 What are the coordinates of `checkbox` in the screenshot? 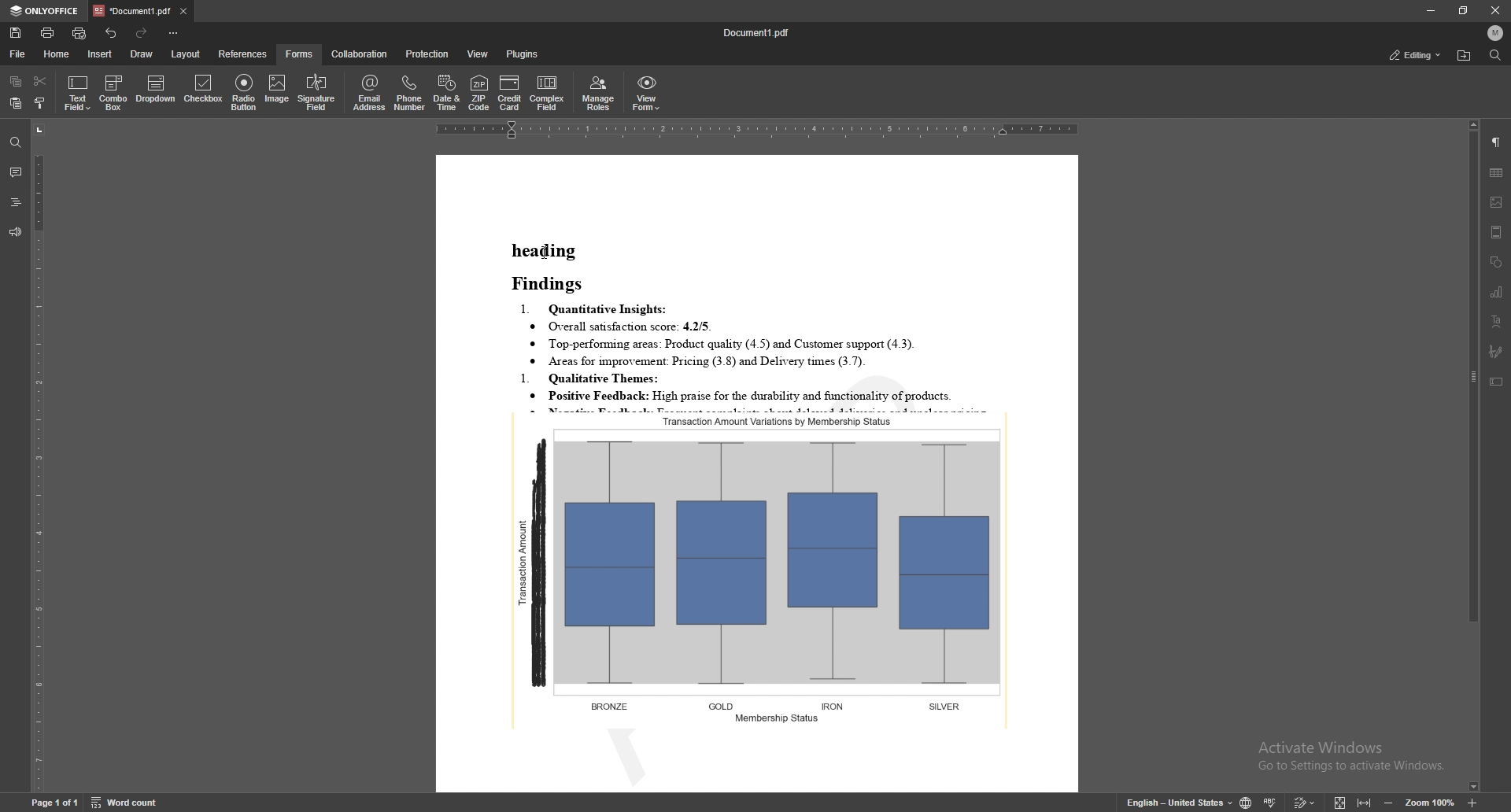 It's located at (202, 91).